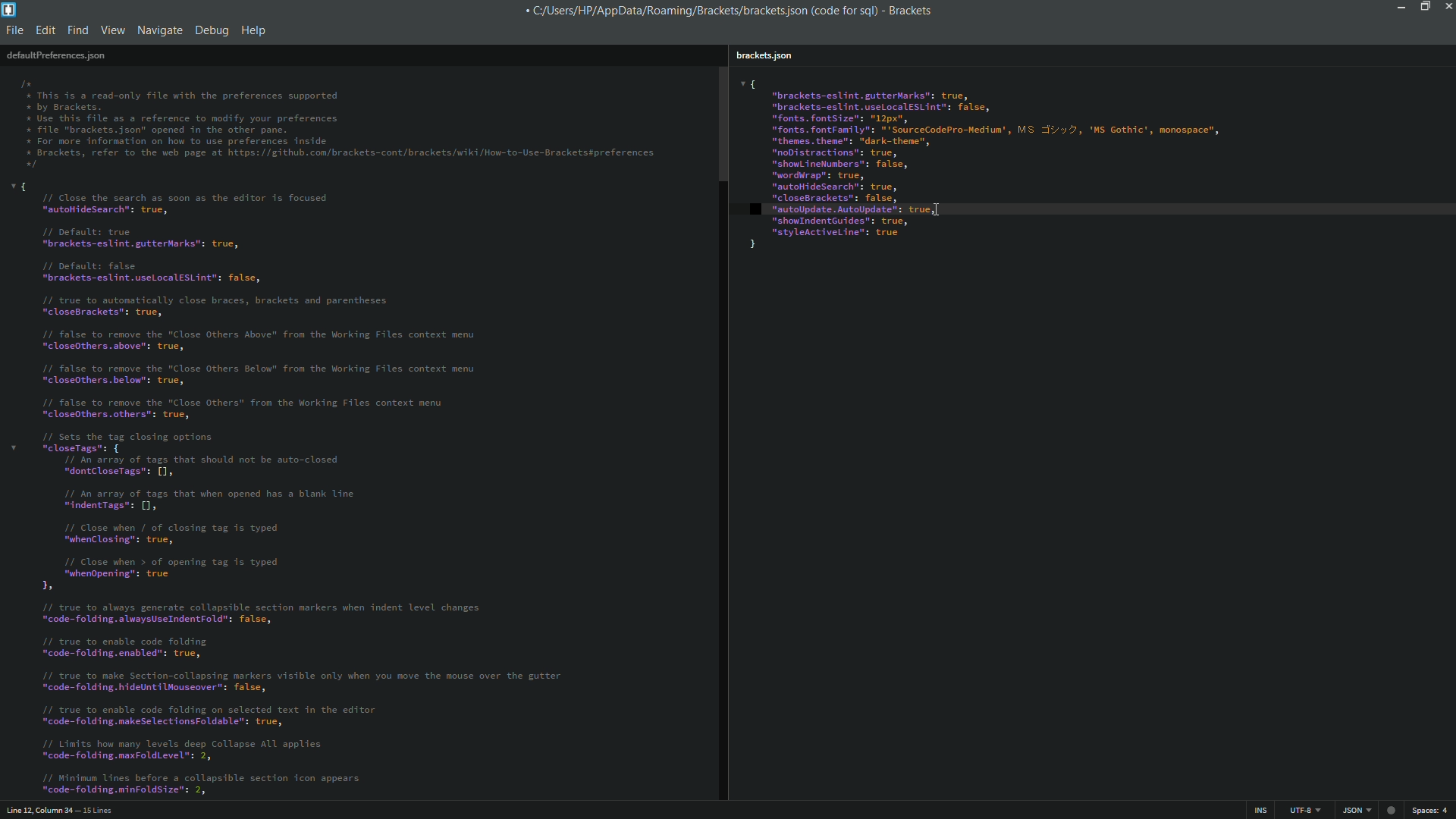  Describe the element at coordinates (158, 30) in the screenshot. I see `navigate menu` at that location.